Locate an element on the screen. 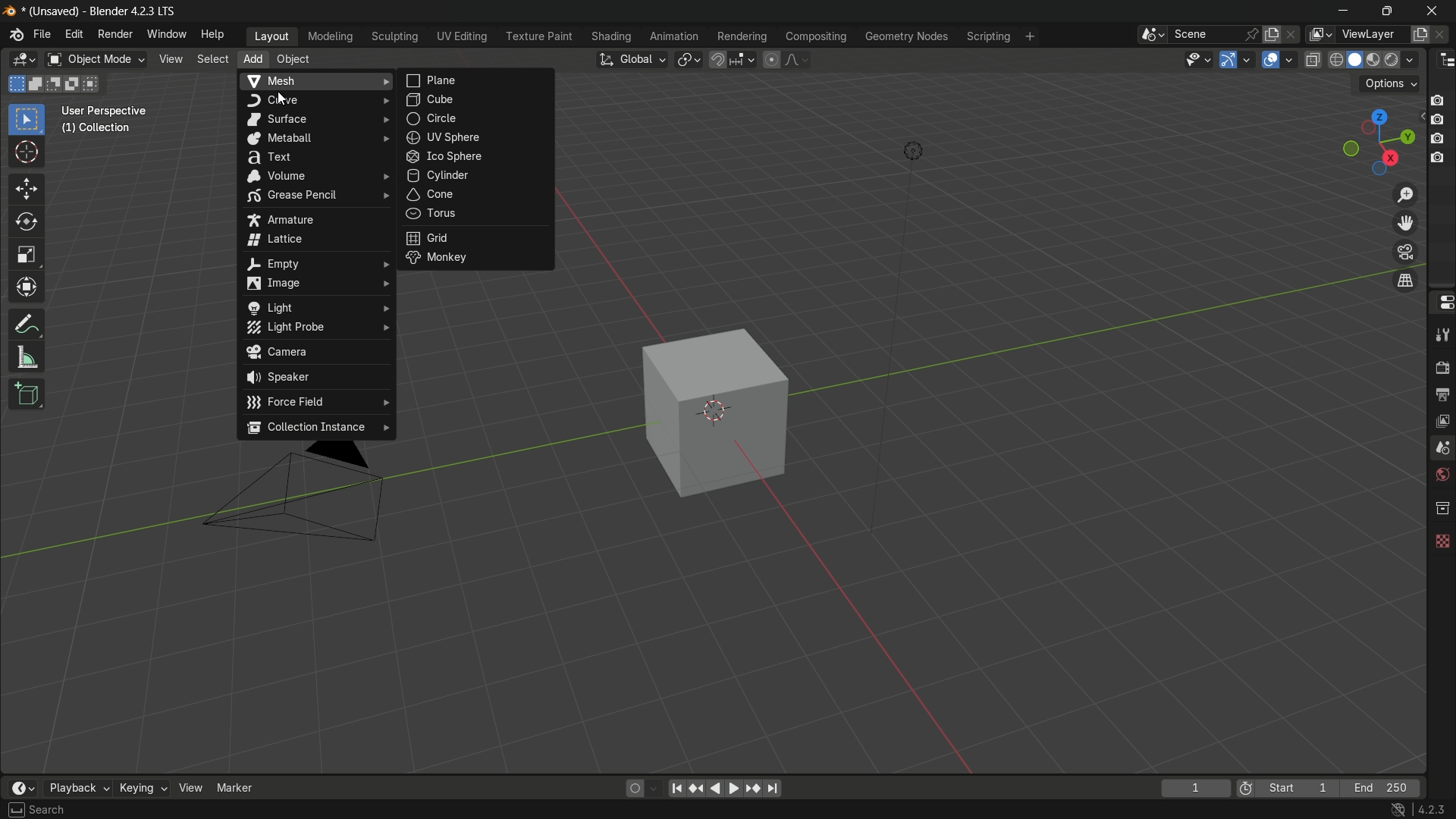 This screenshot has height=819, width=1456. circle is located at coordinates (474, 118).